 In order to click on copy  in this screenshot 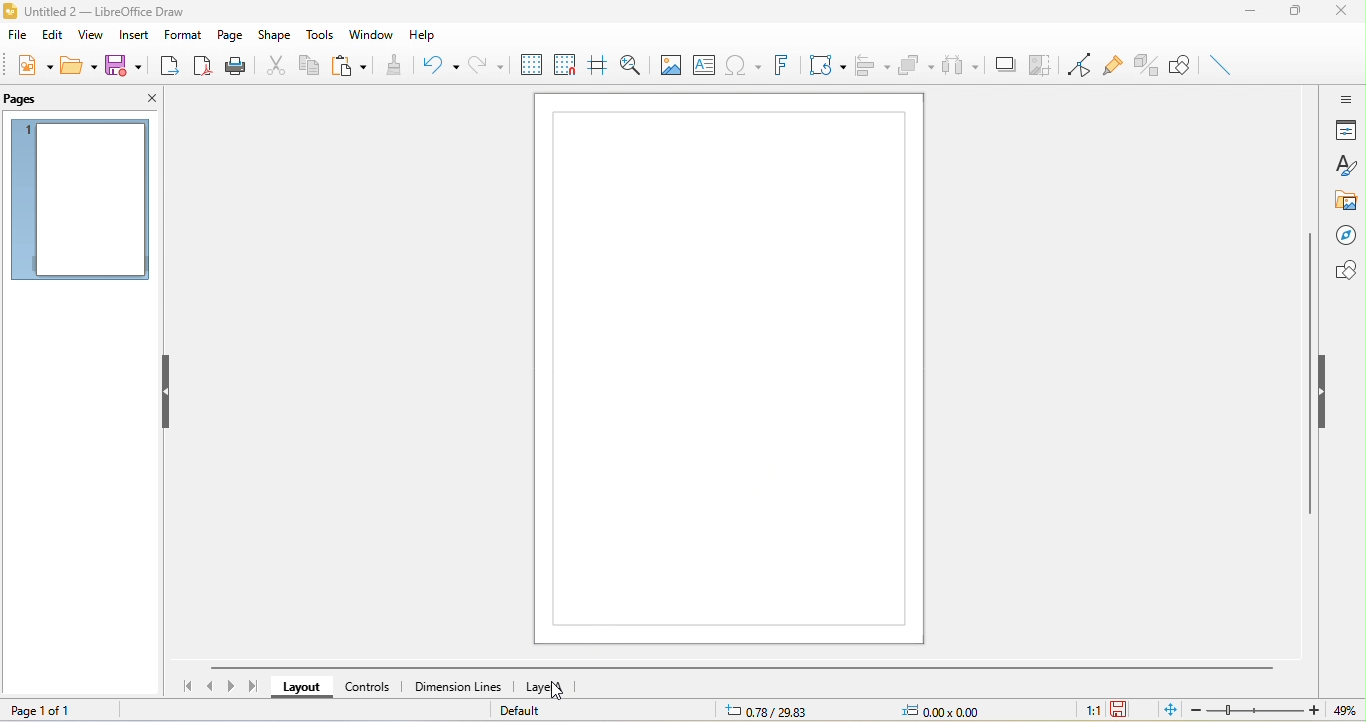, I will do `click(310, 68)`.